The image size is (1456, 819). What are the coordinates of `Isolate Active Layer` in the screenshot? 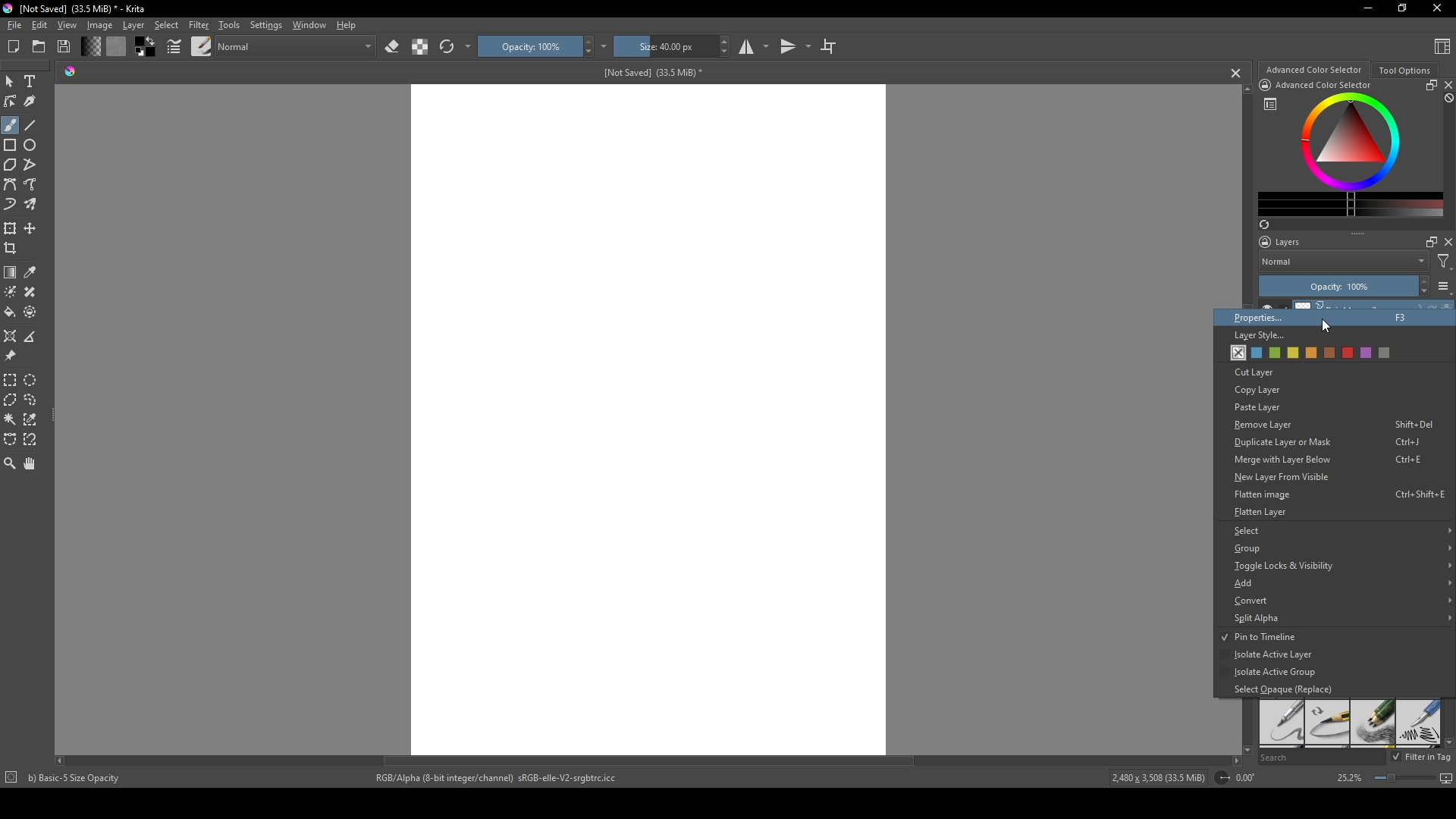 It's located at (1268, 656).